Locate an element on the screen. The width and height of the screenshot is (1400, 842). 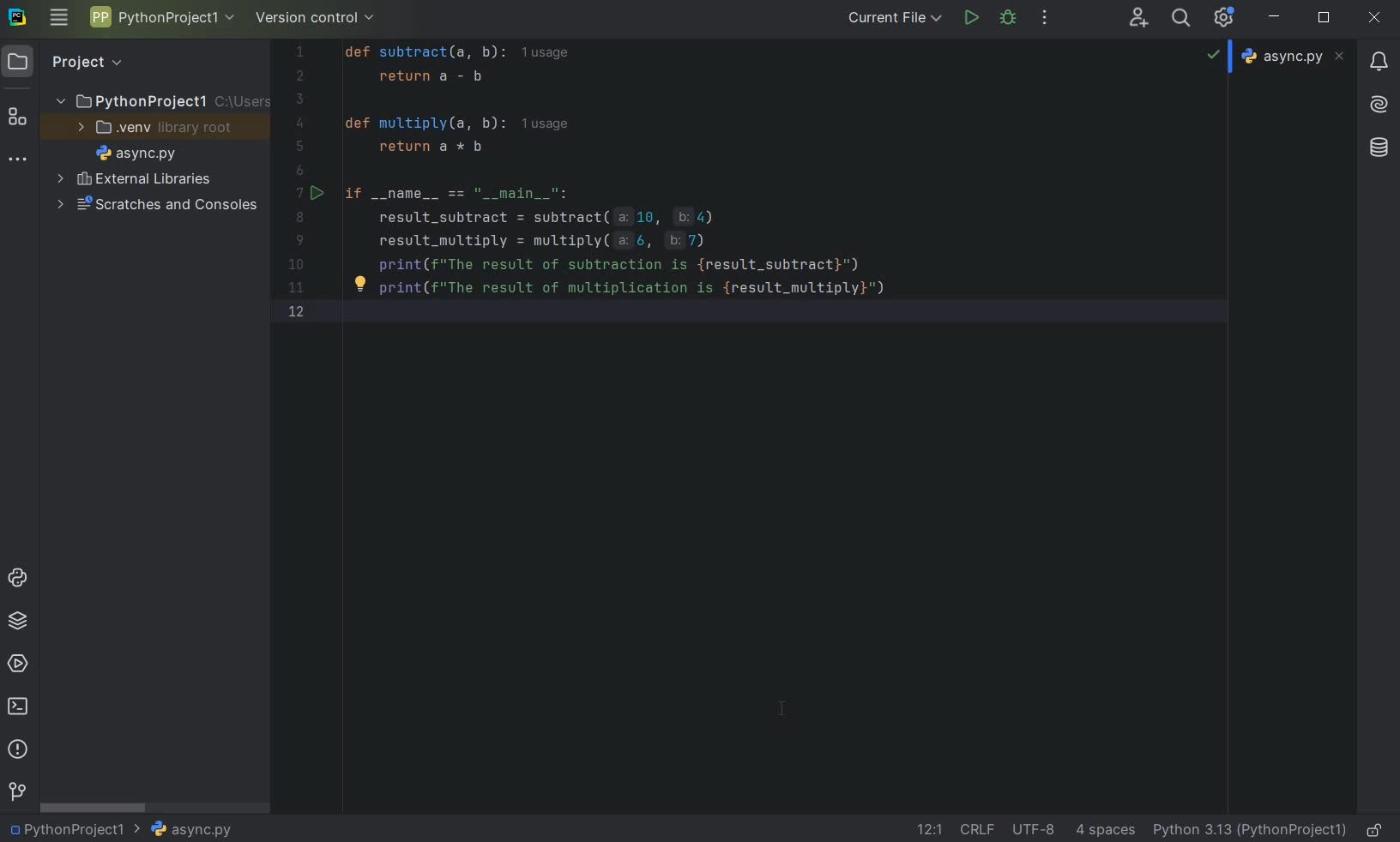
SCROLLBAR is located at coordinates (94, 806).